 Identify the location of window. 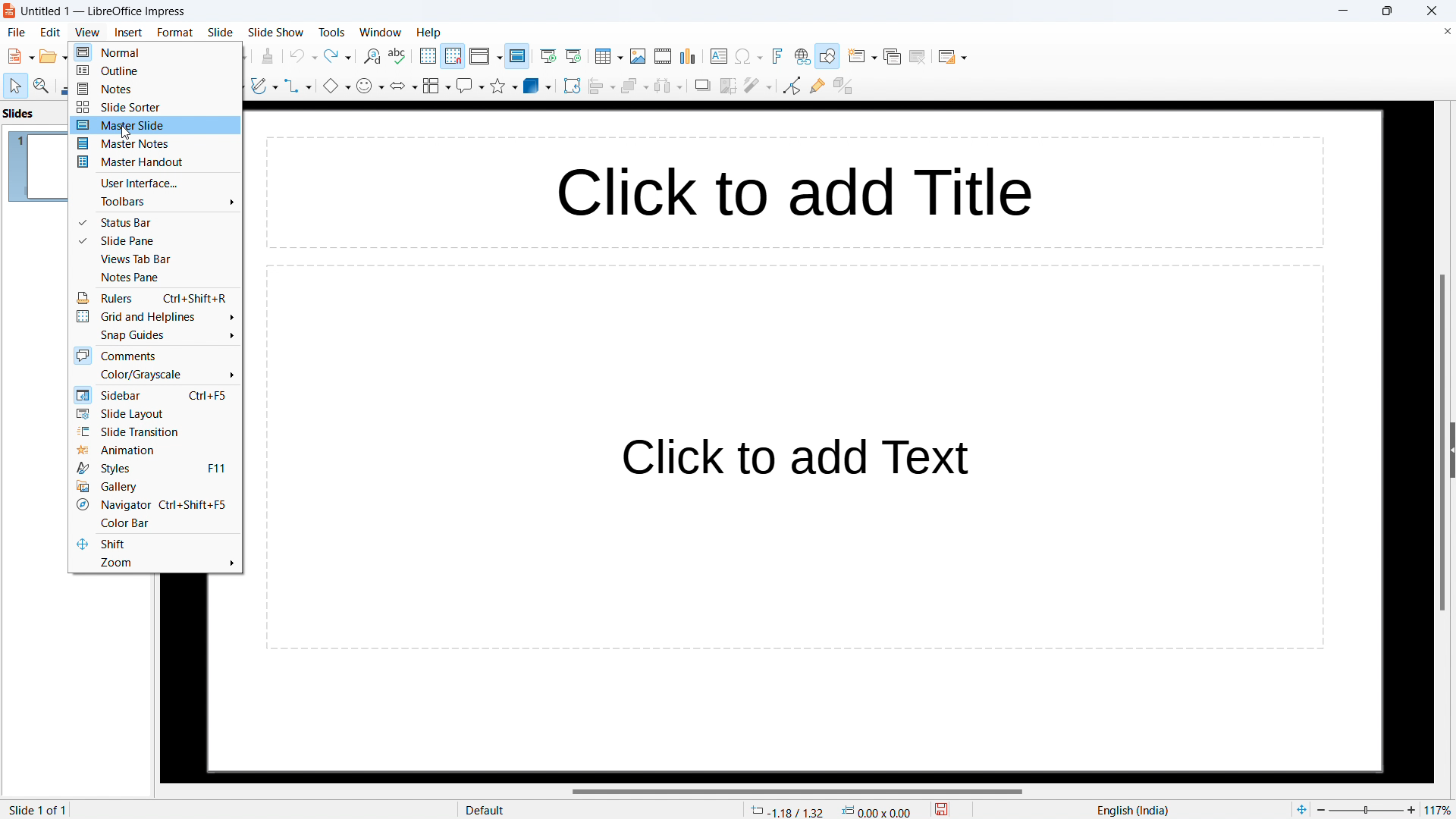
(381, 33).